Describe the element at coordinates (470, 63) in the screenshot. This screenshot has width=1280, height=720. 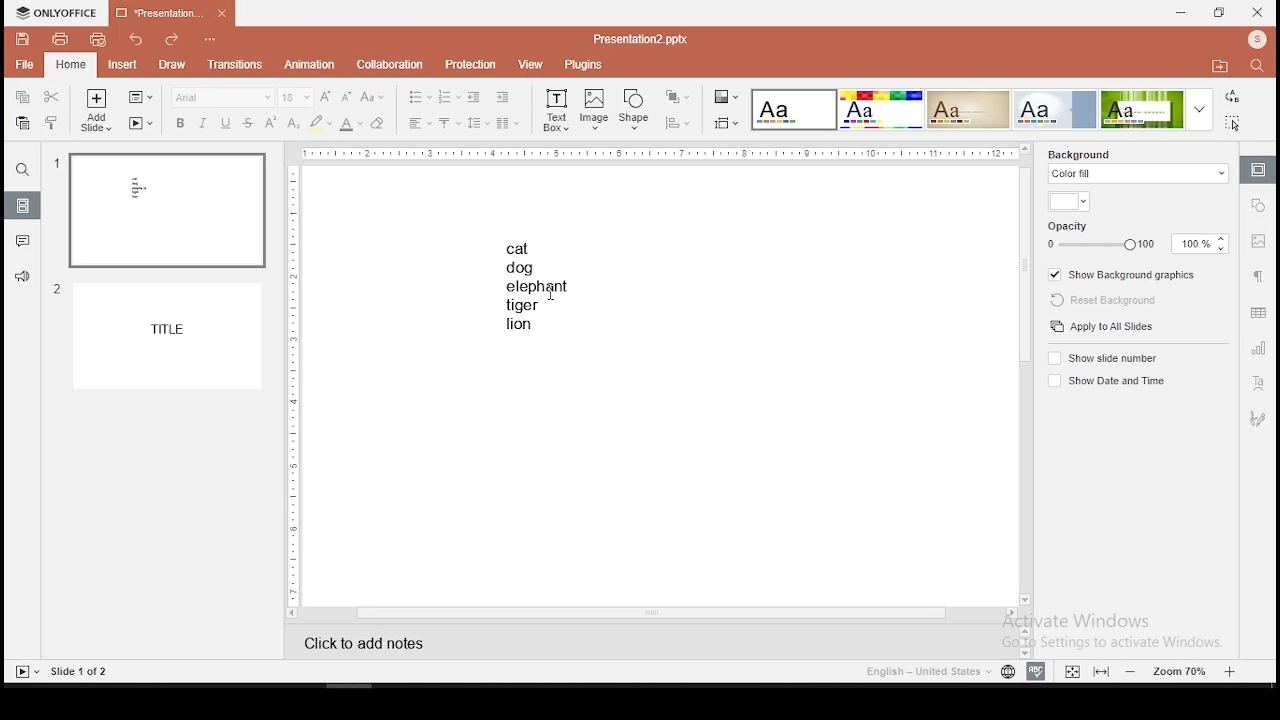
I see `protection` at that location.